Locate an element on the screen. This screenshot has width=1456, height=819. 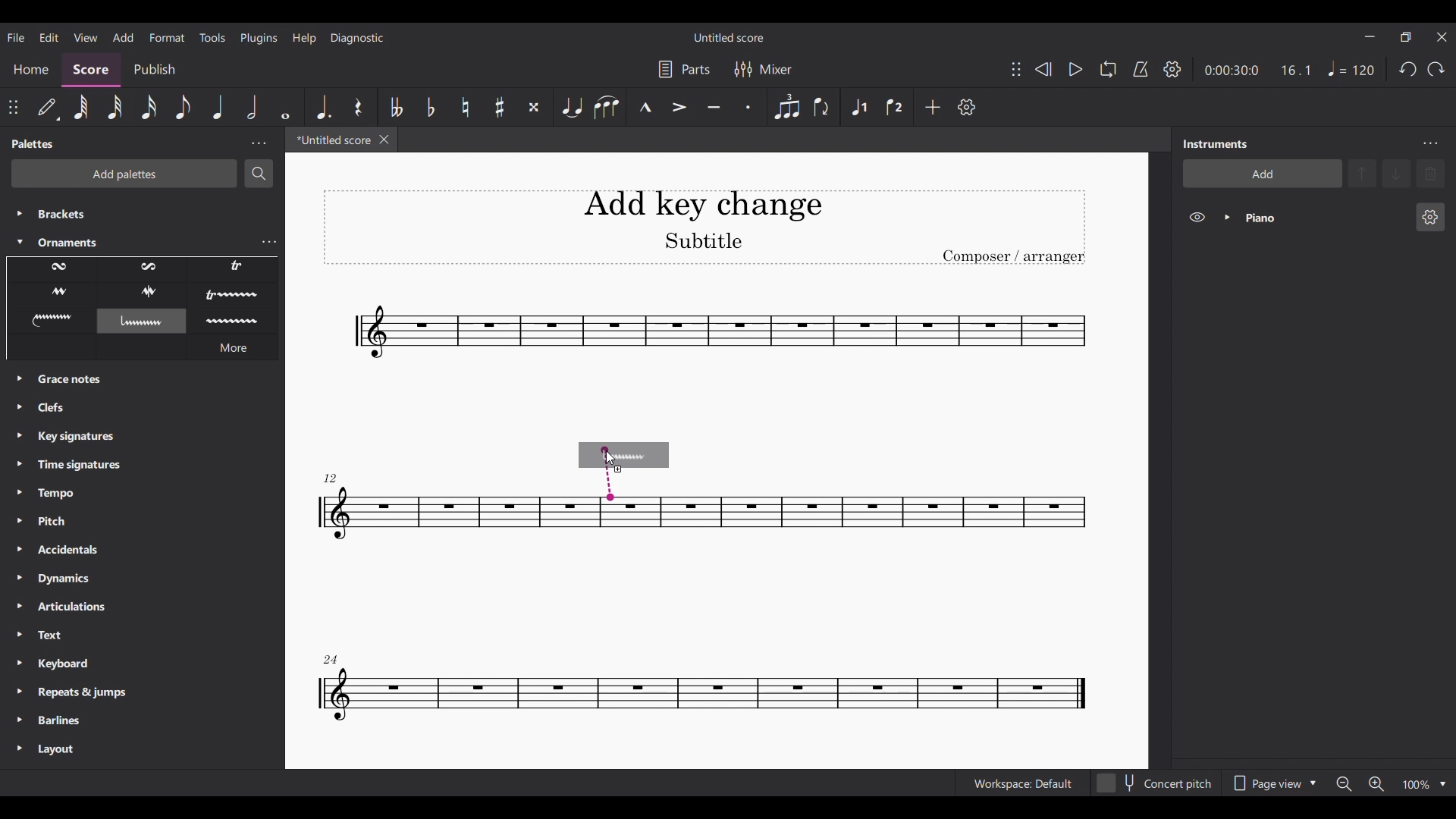
Tie is located at coordinates (571, 107).